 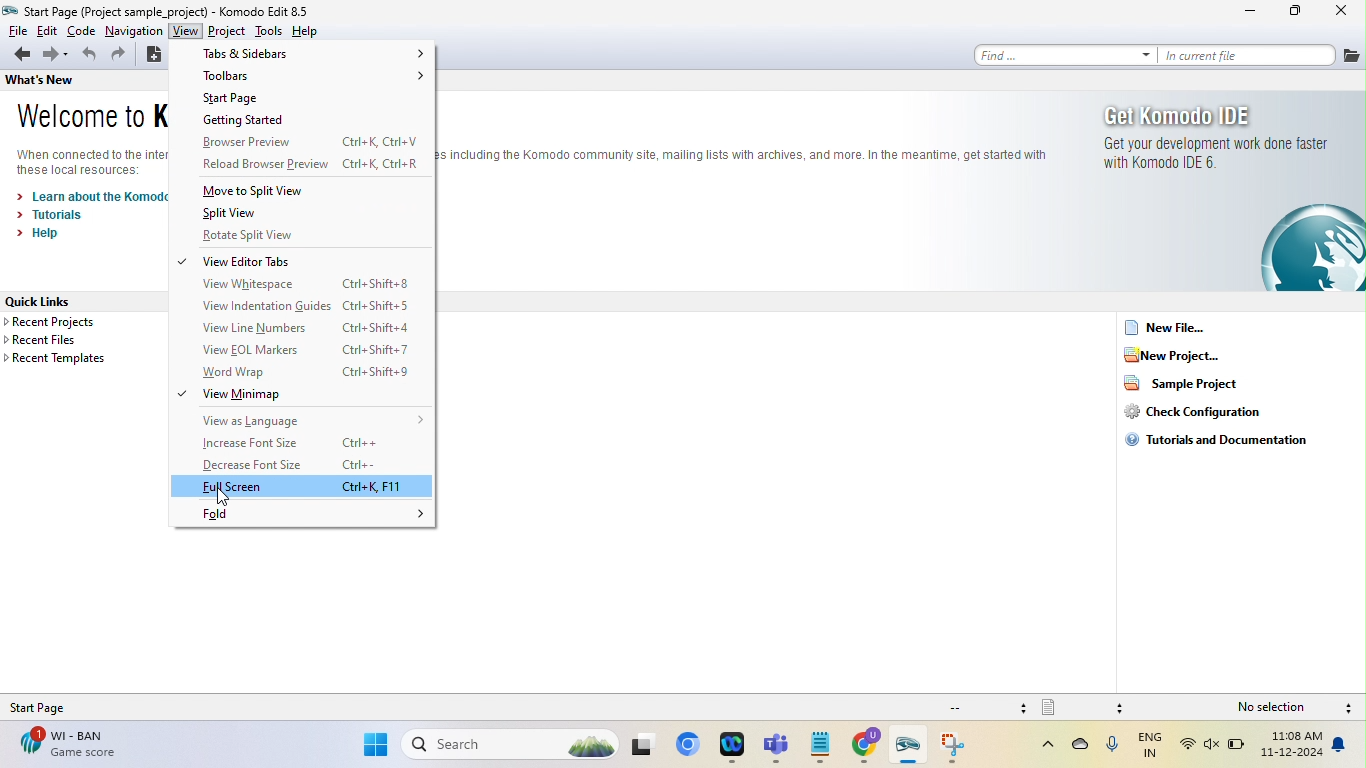 I want to click on speakers, so click(x=1213, y=746).